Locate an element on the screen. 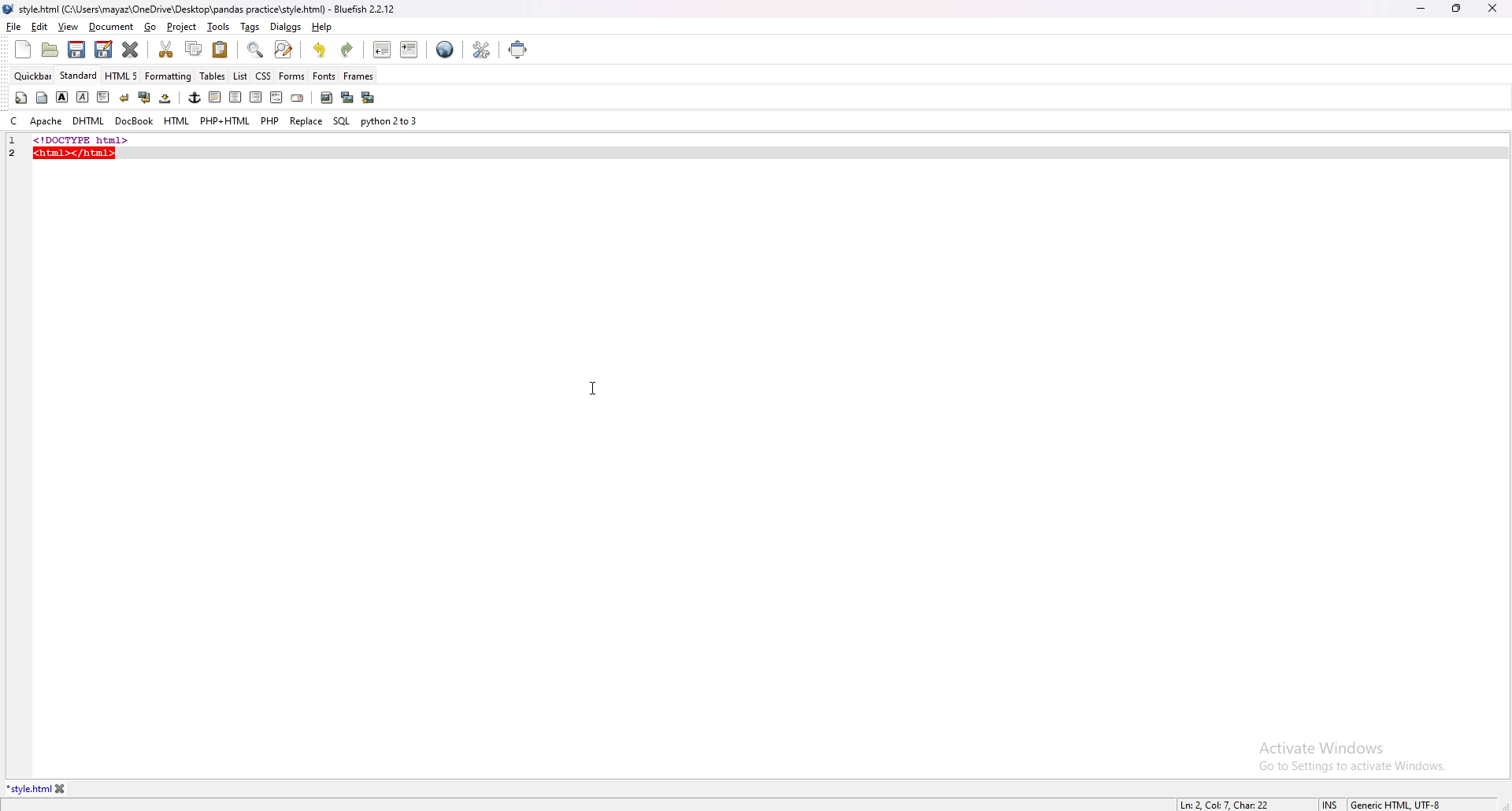 The height and width of the screenshot is (811, 1512). encoding is located at coordinates (1395, 803).